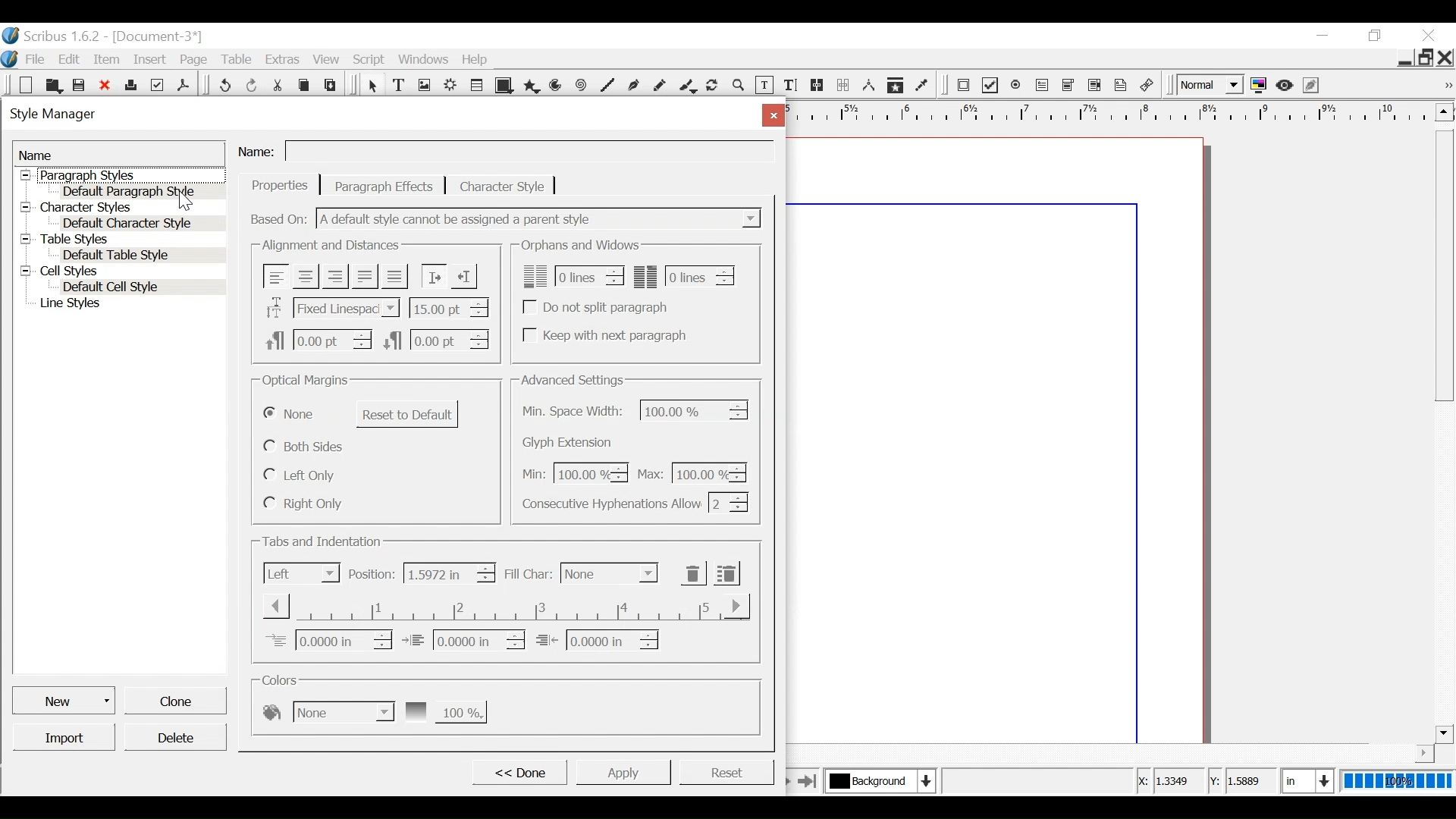  I want to click on Background color, so click(327, 711).